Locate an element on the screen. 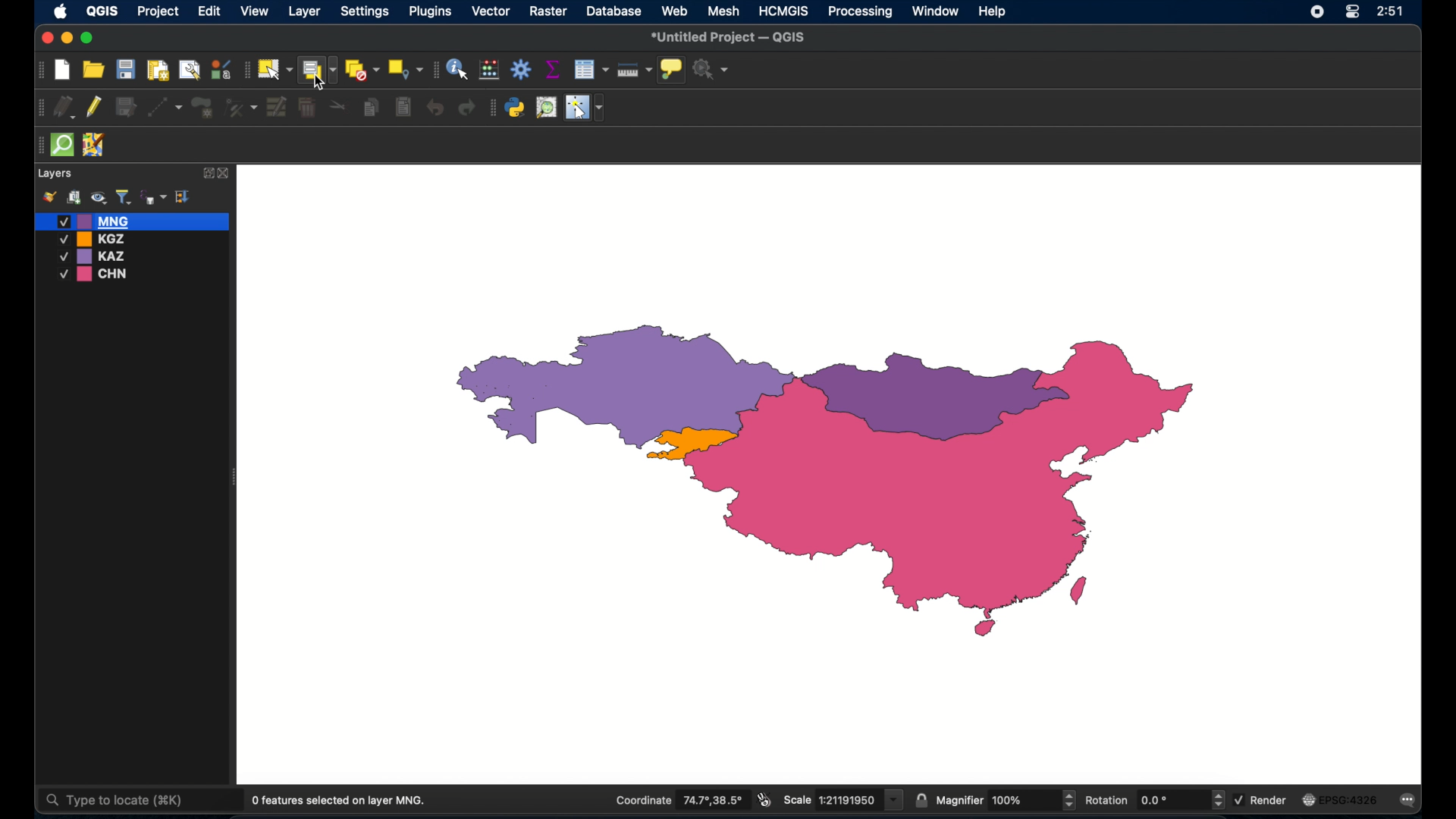  0 features selected on layer MNG. is located at coordinates (342, 801).